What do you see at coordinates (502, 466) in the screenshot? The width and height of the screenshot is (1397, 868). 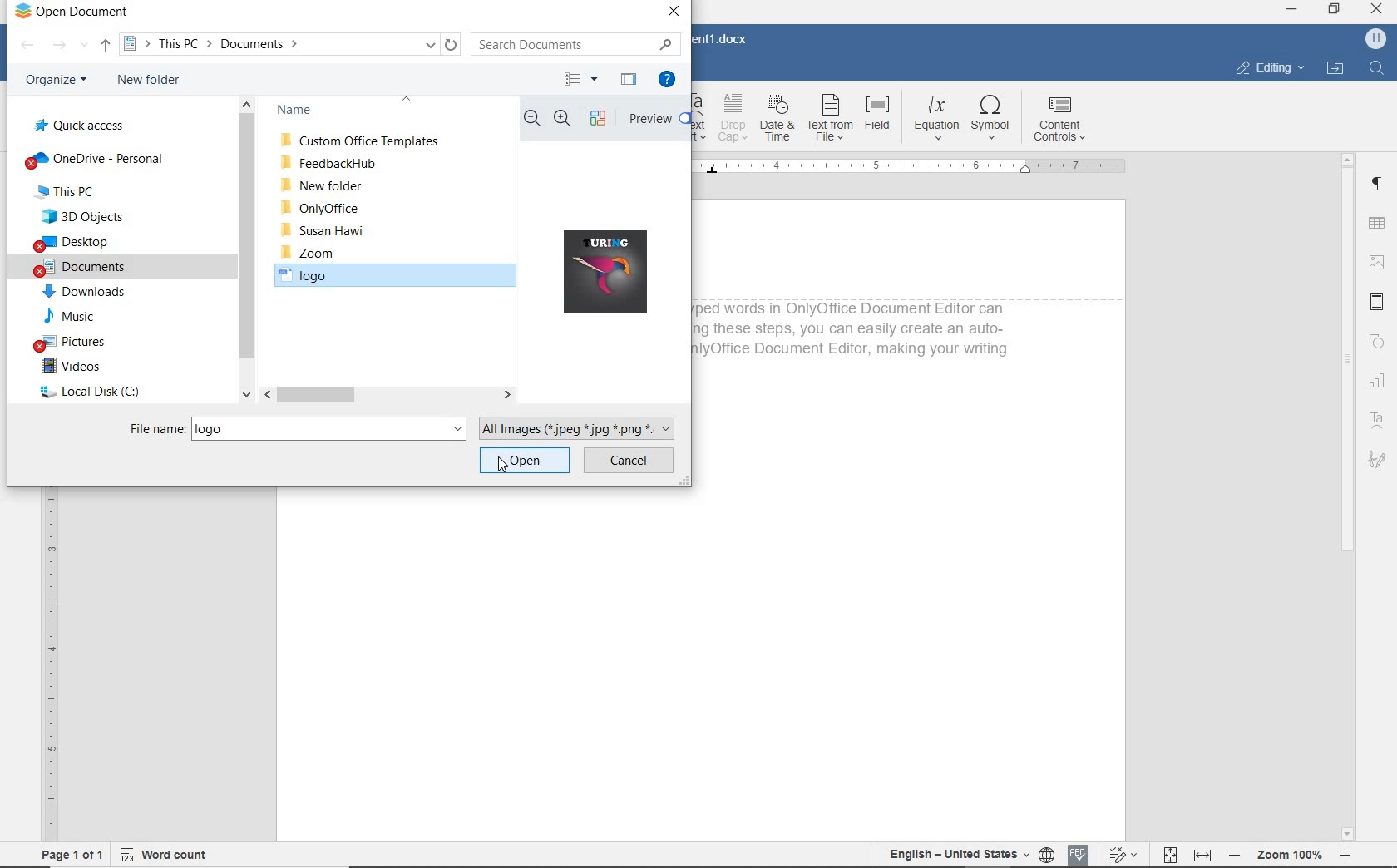 I see `cursor` at bounding box center [502, 466].